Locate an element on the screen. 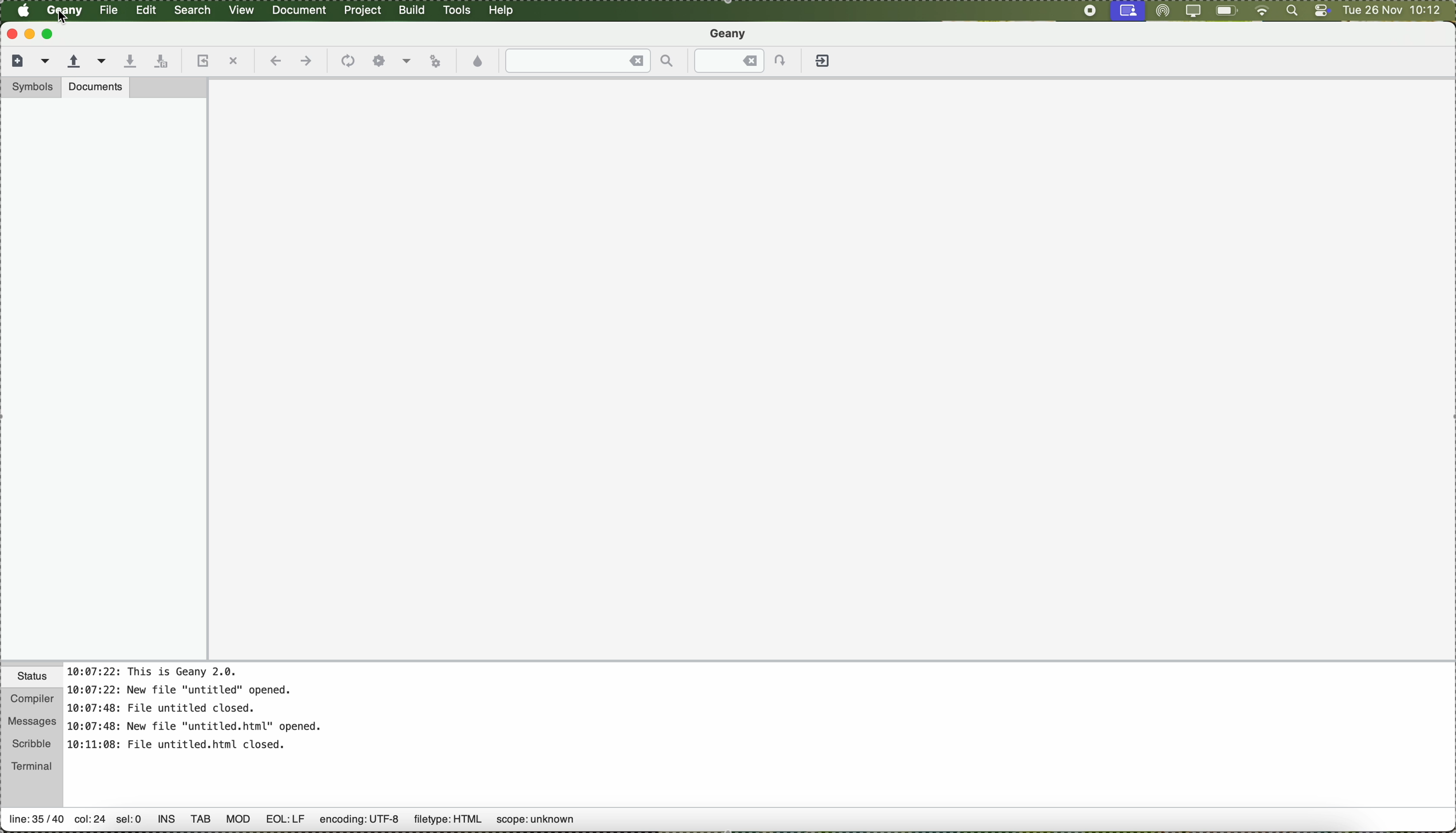  Geany is located at coordinates (730, 33).